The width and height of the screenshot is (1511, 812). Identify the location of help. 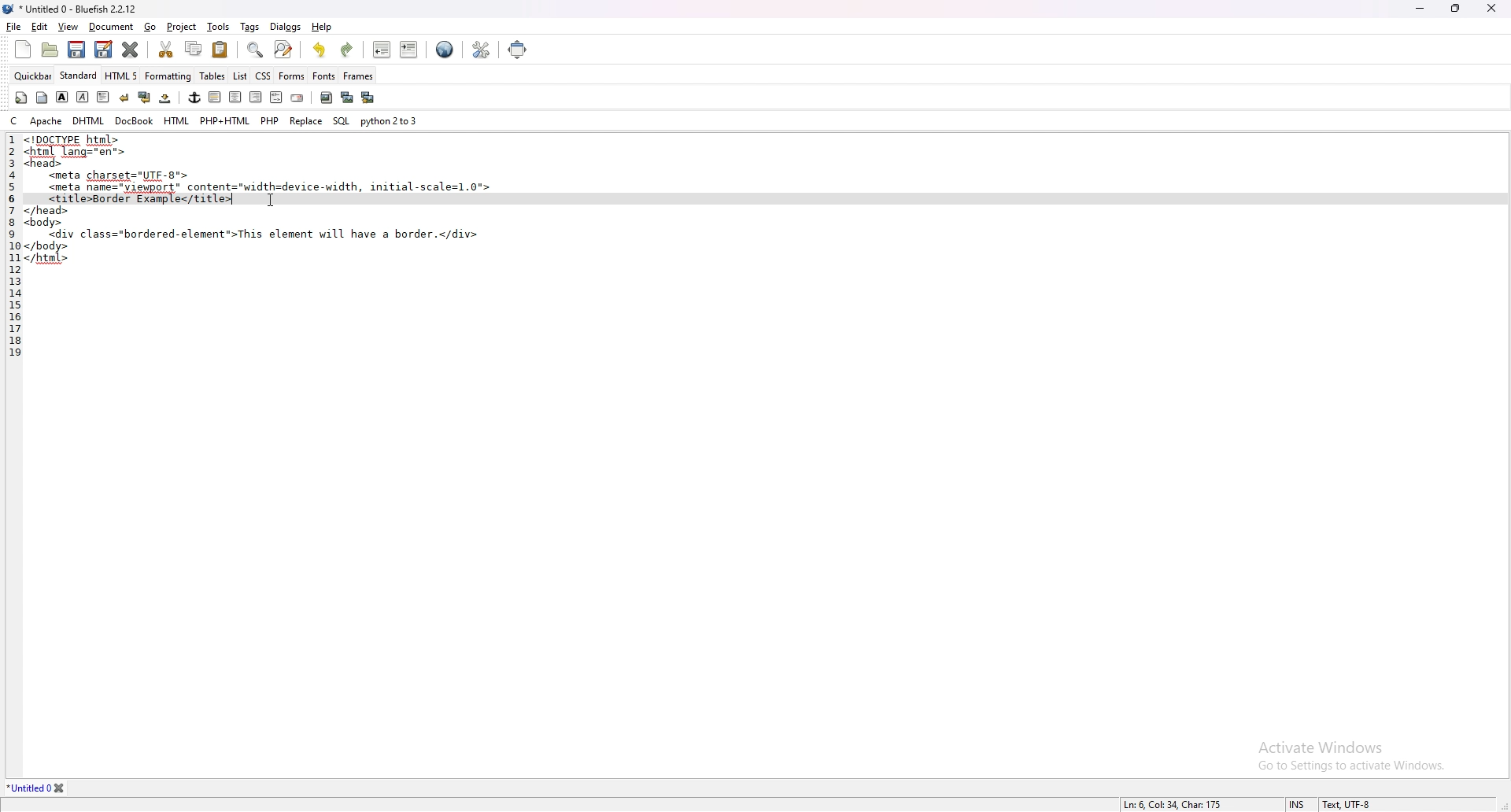
(323, 26).